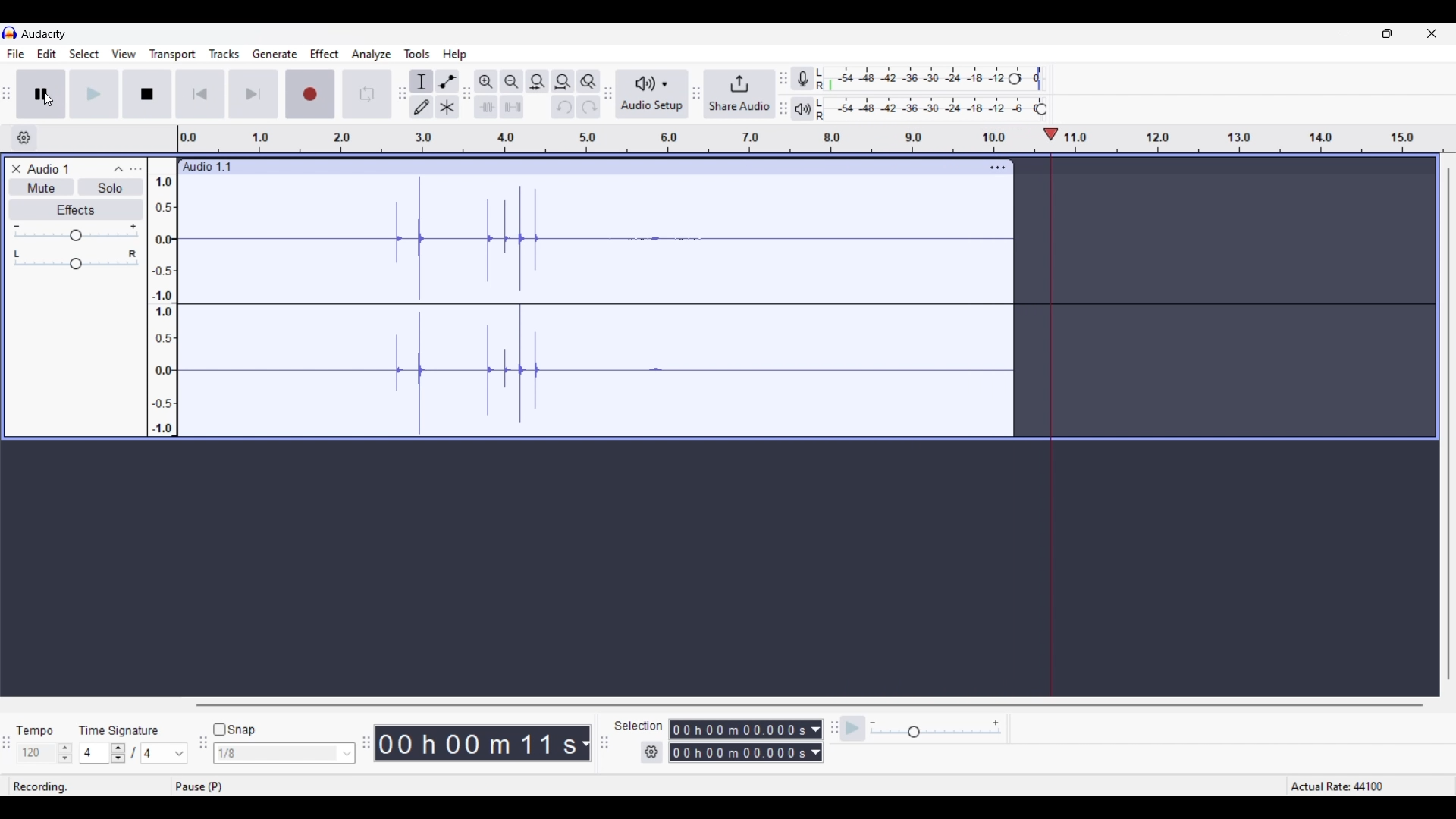  Describe the element at coordinates (818, 142) in the screenshot. I see `Scale to show length of recorded audio` at that location.